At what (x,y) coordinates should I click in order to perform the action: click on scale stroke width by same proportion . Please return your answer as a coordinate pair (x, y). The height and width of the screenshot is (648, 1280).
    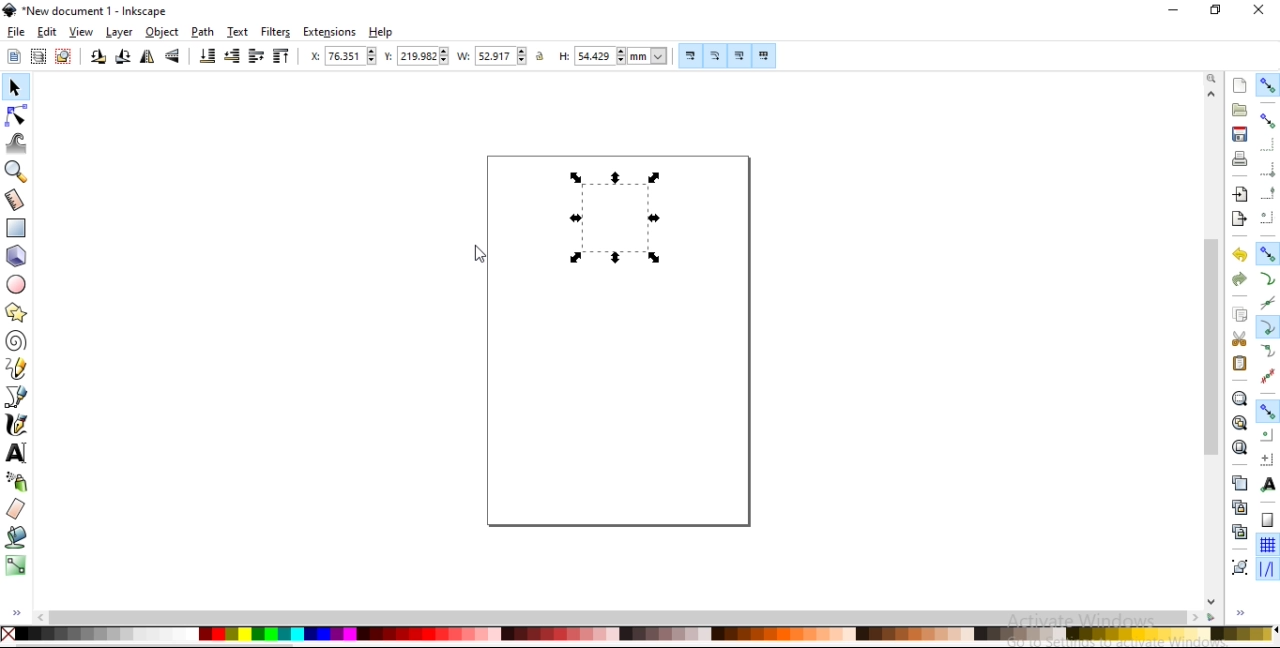
    Looking at the image, I should click on (690, 56).